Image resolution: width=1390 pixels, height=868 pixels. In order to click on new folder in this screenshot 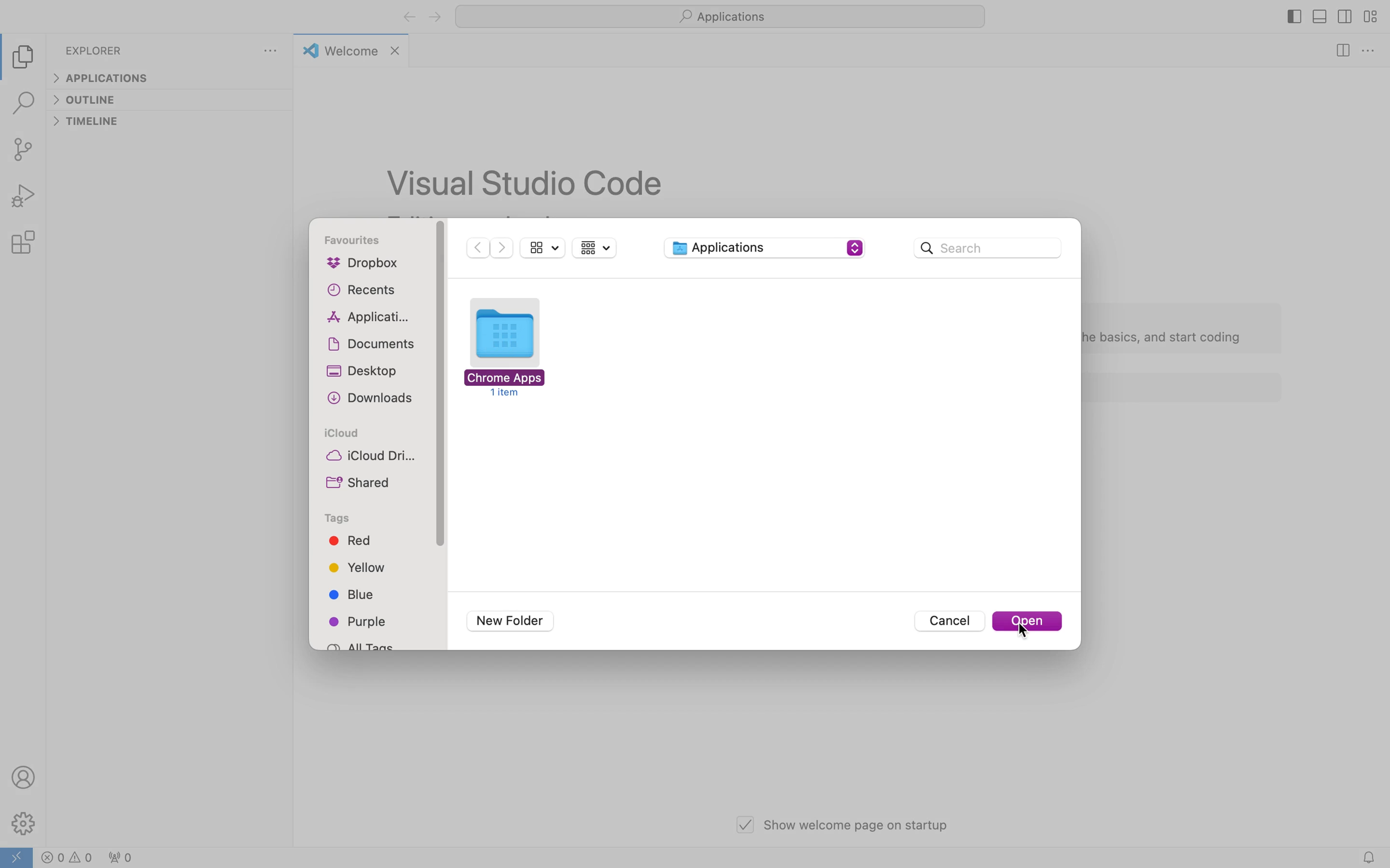, I will do `click(506, 621)`.